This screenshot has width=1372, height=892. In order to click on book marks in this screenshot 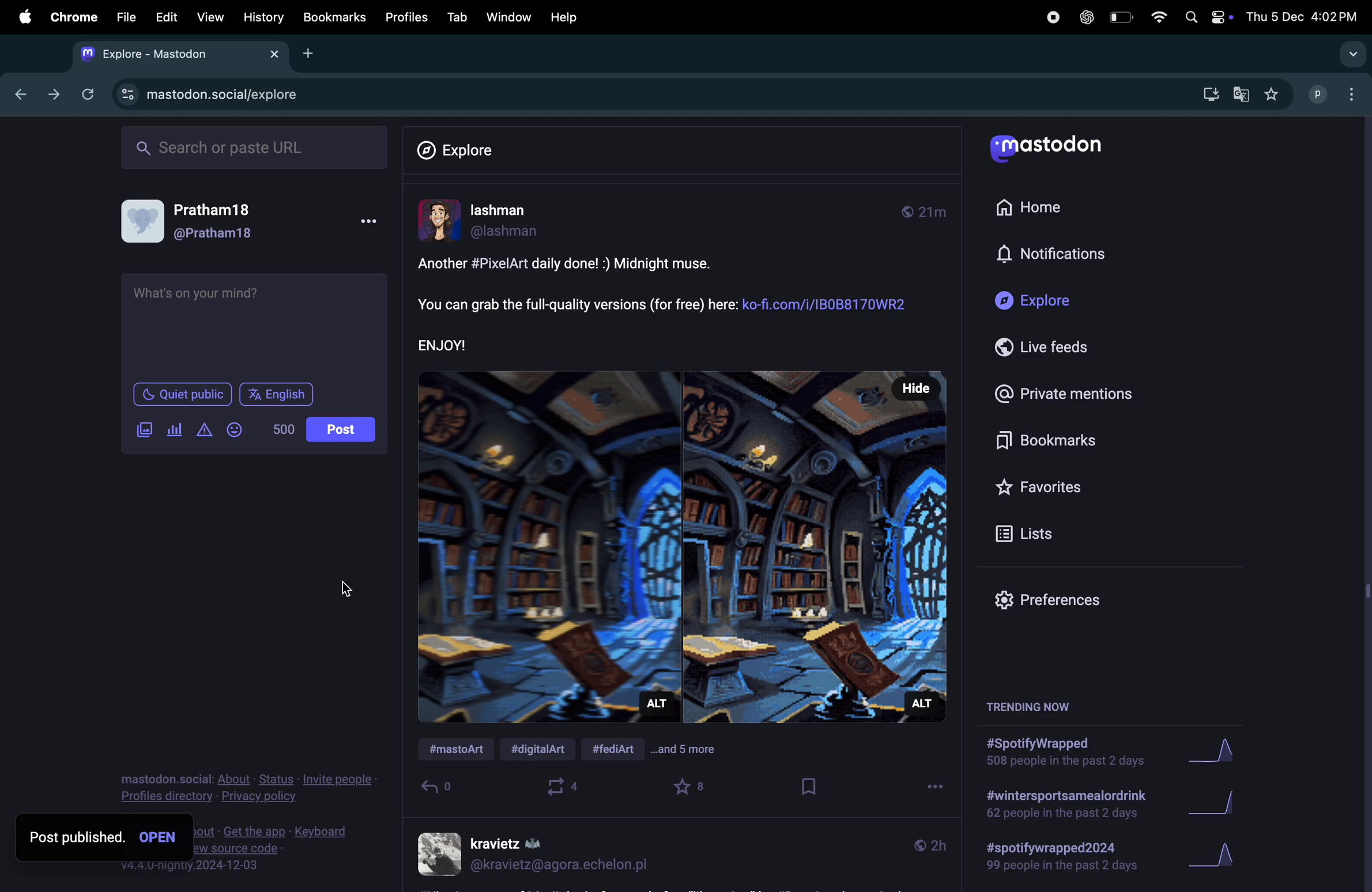, I will do `click(1064, 440)`.